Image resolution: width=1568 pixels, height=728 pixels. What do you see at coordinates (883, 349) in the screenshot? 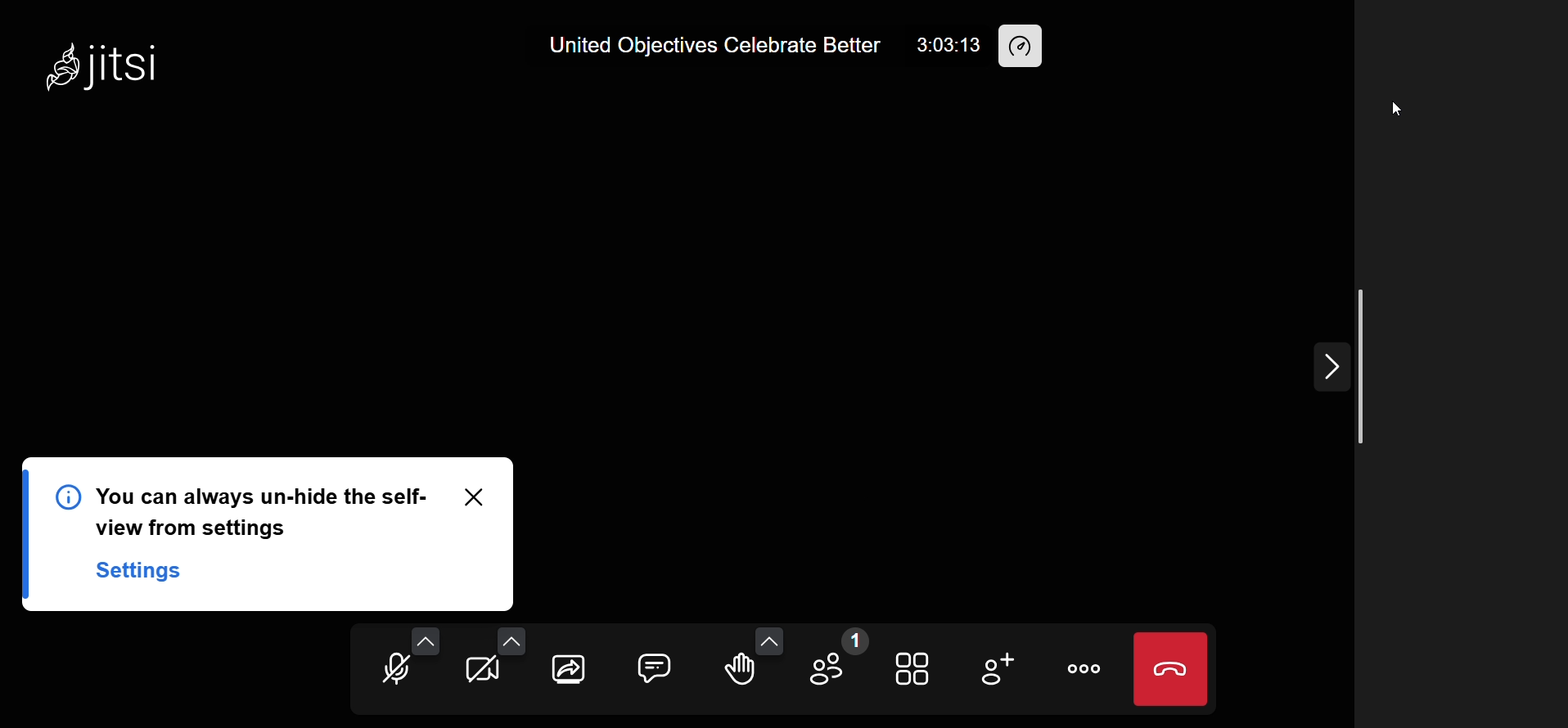
I see `display hidden` at bounding box center [883, 349].